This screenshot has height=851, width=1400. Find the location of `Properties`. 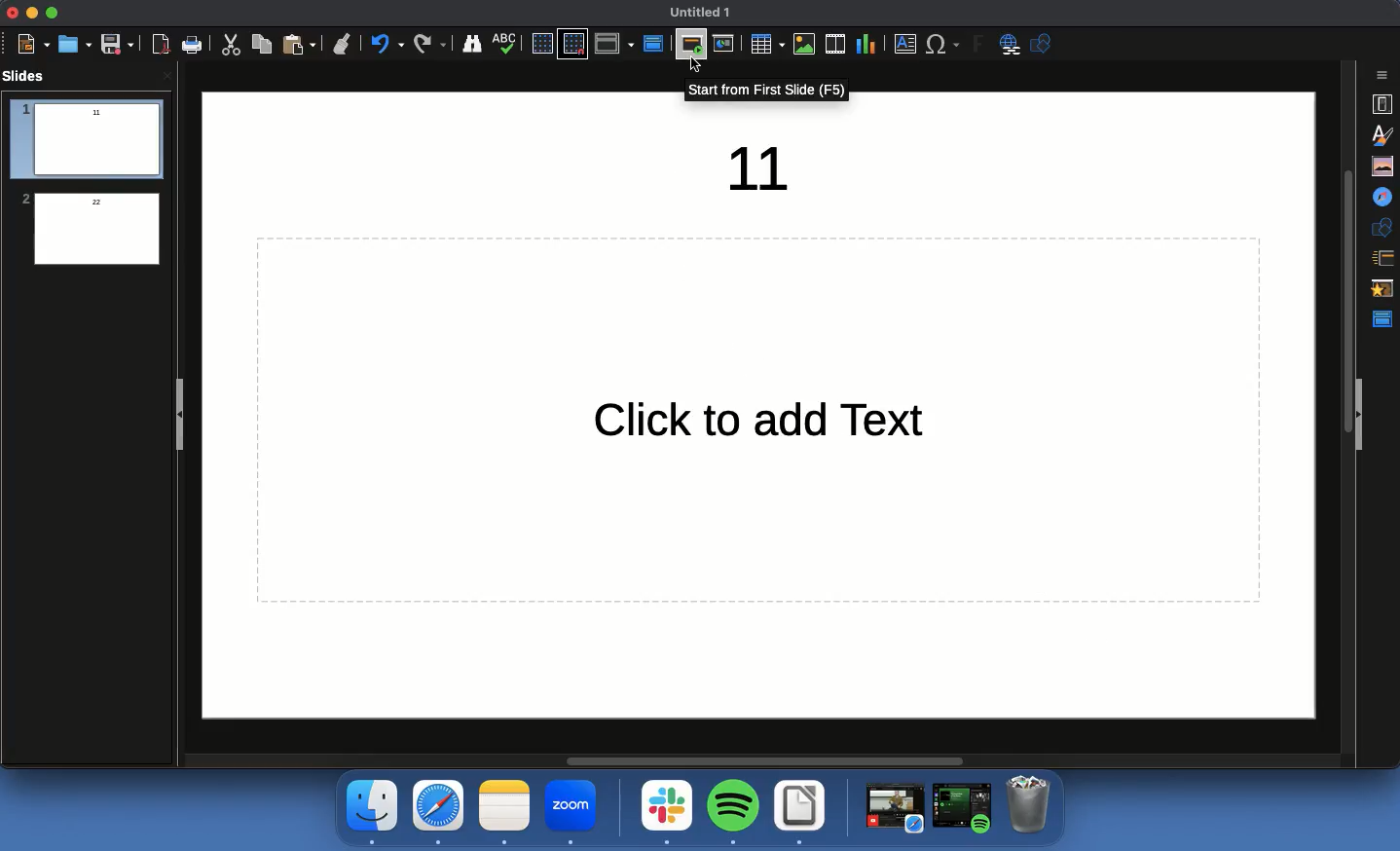

Properties is located at coordinates (1383, 103).